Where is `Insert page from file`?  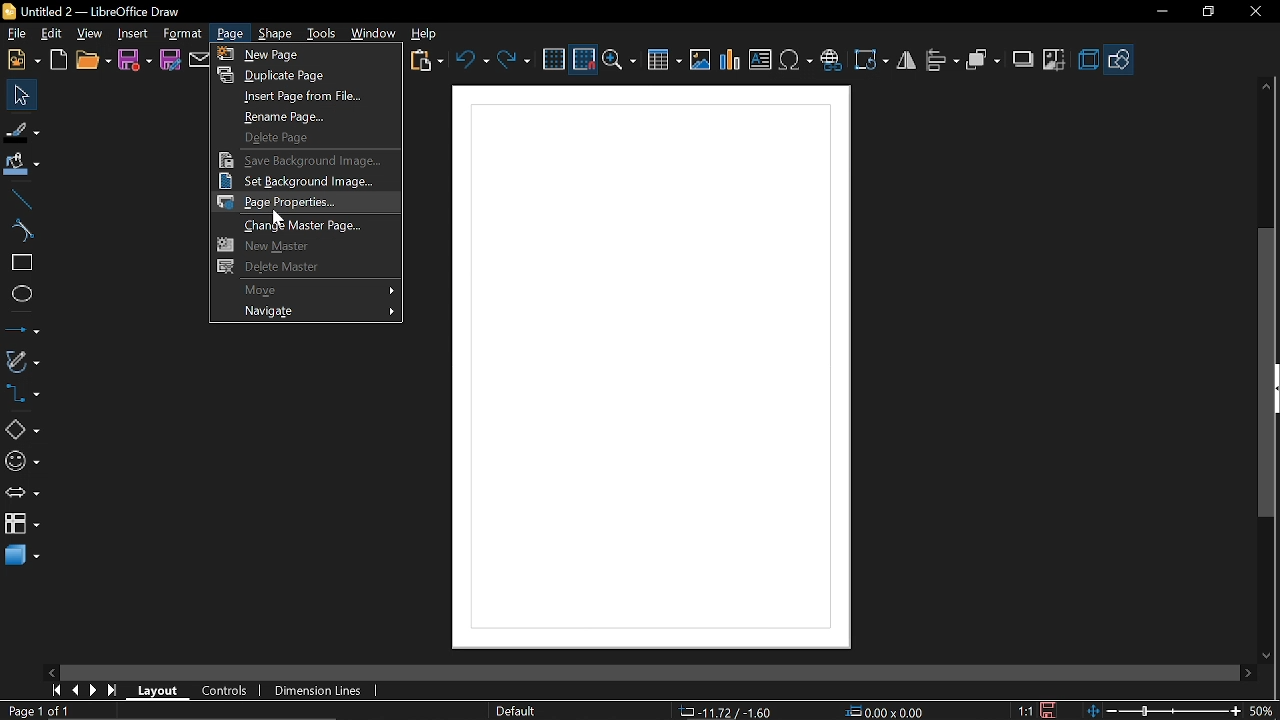
Insert page from file is located at coordinates (303, 96).